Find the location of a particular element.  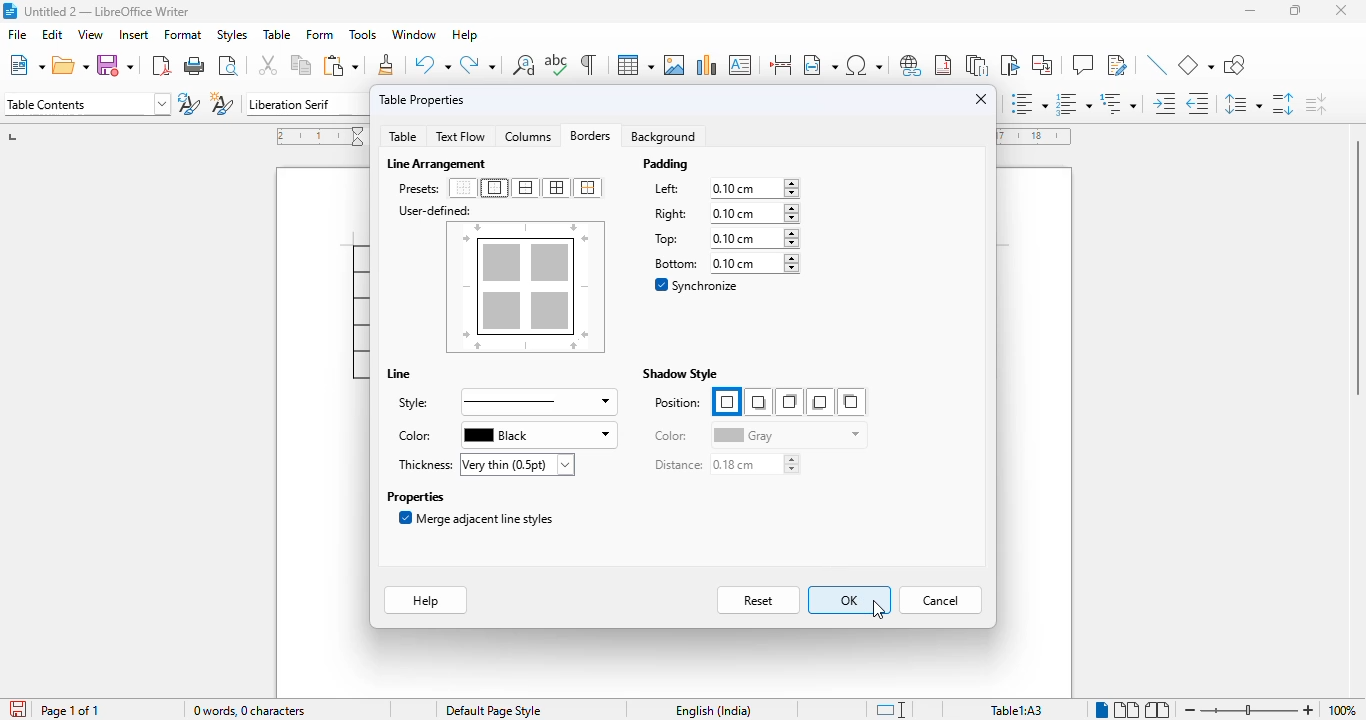

insert chart is located at coordinates (707, 65).